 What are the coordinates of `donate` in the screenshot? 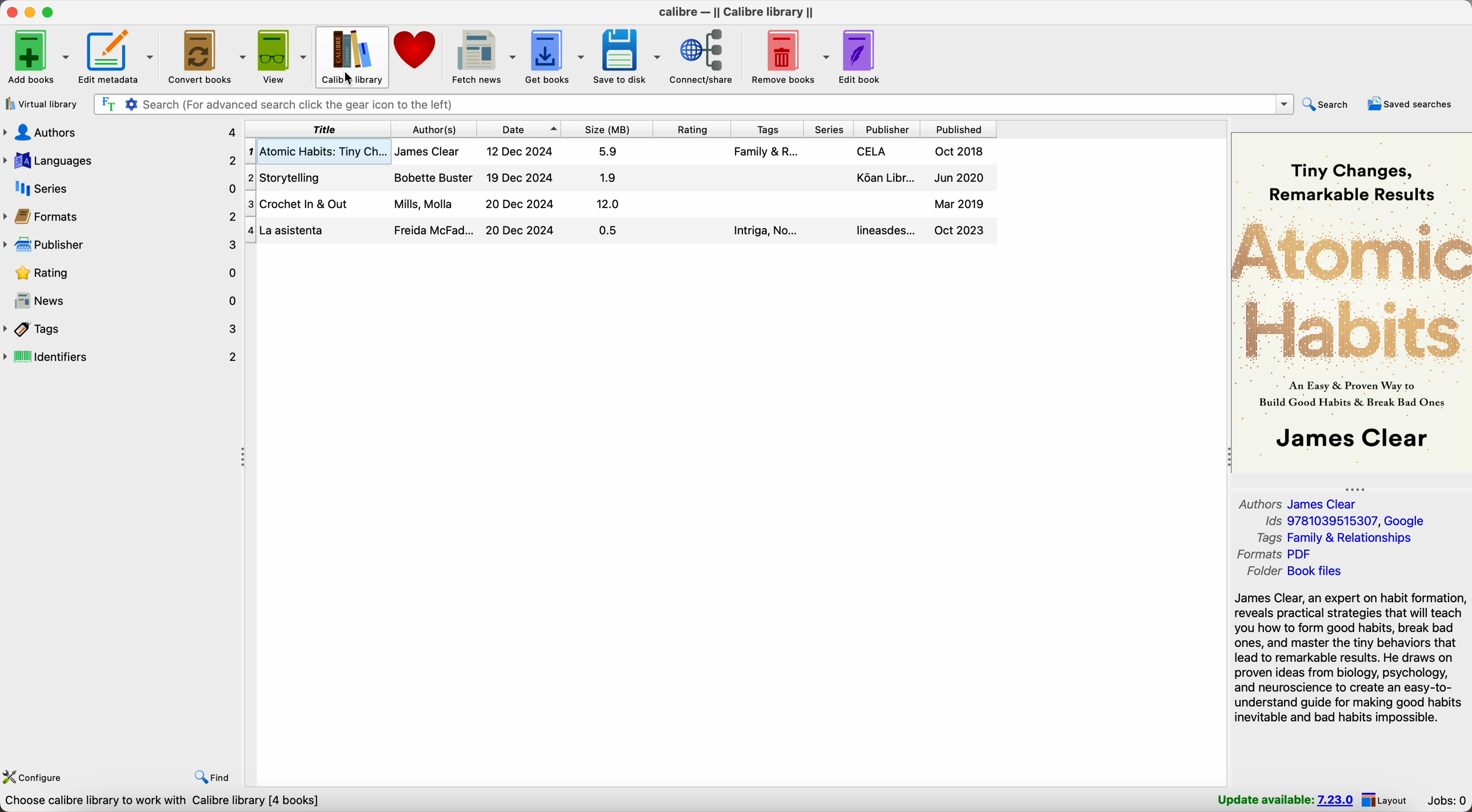 It's located at (418, 49).